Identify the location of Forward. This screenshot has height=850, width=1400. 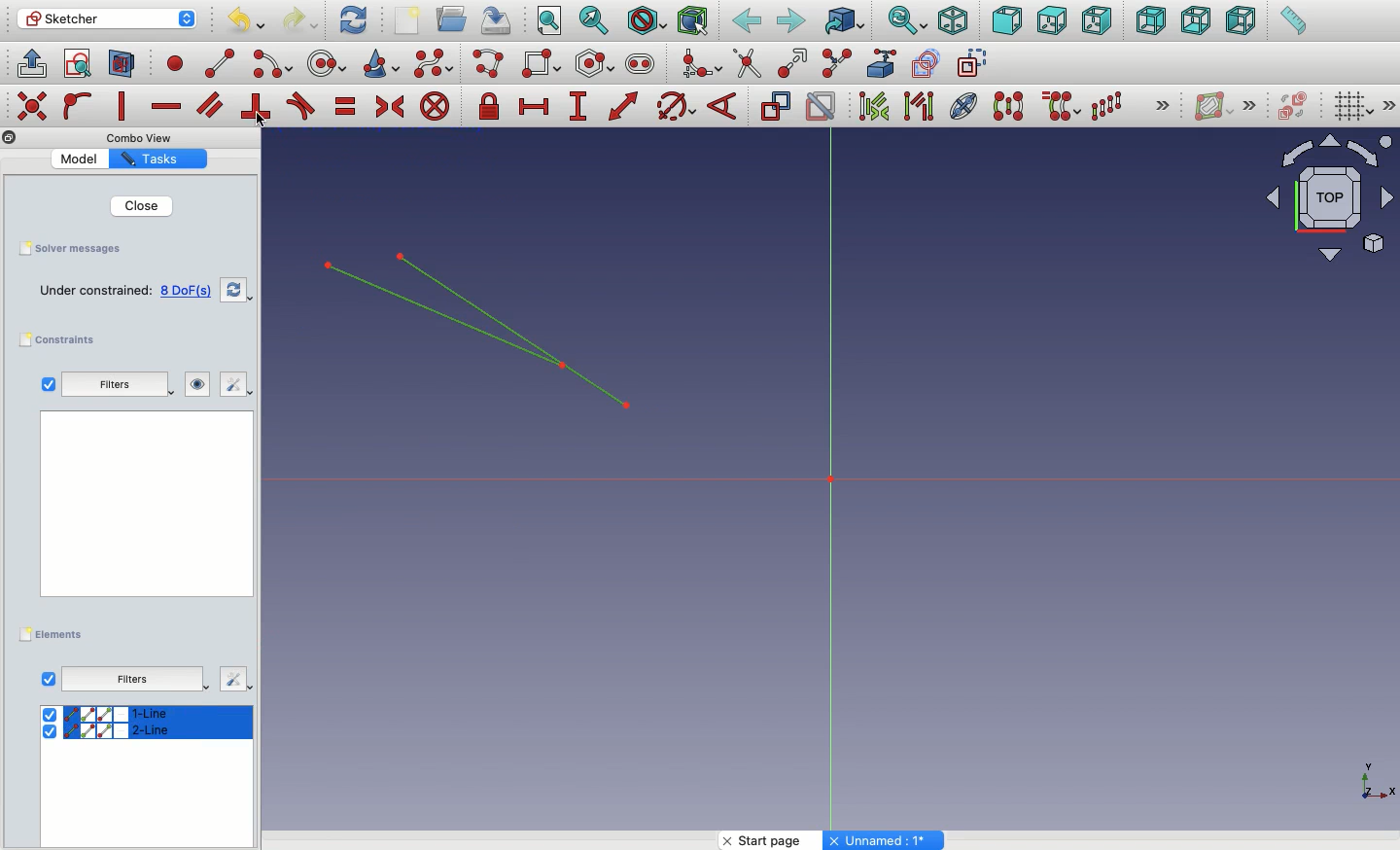
(791, 22).